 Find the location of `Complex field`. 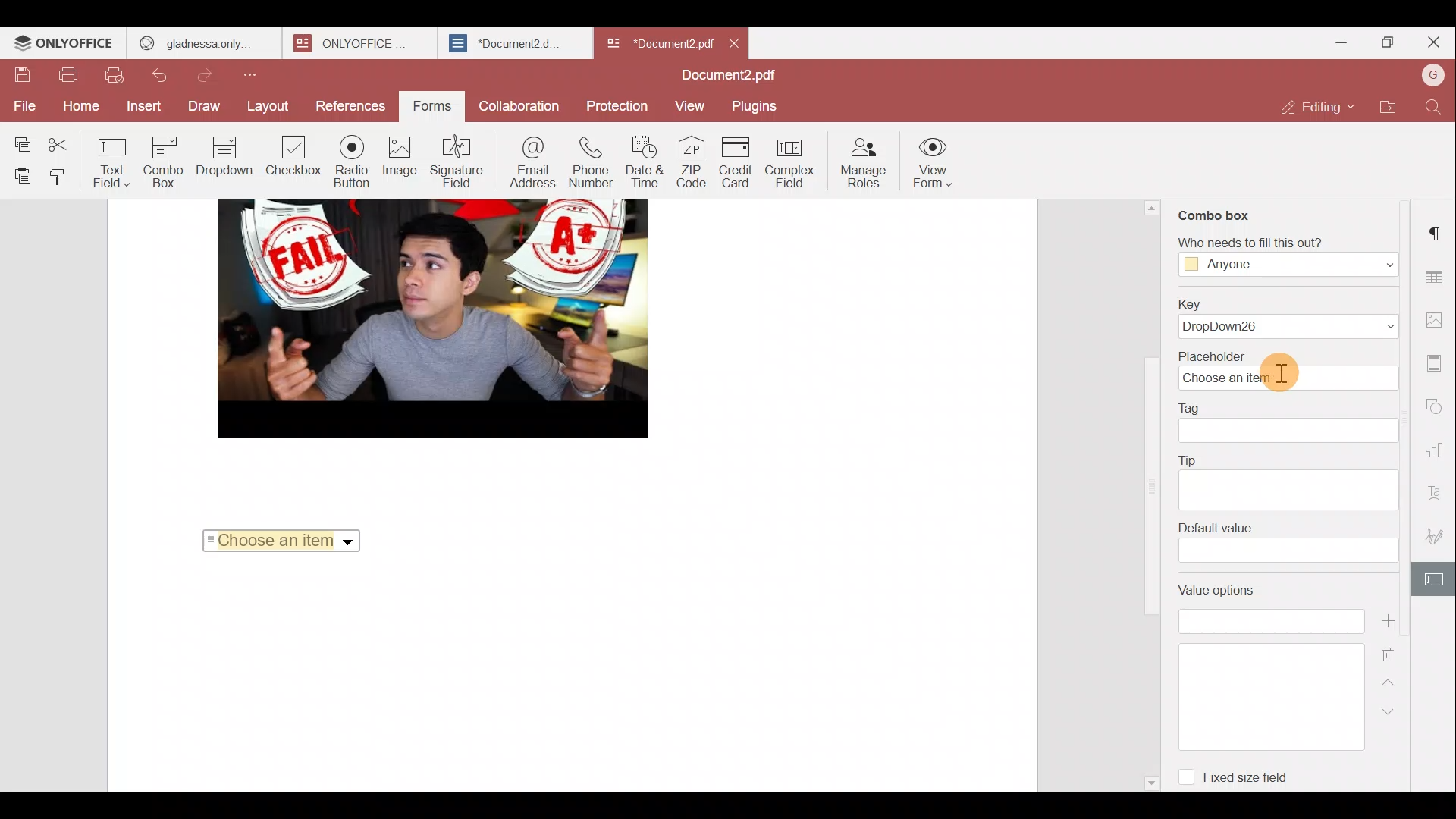

Complex field is located at coordinates (792, 165).